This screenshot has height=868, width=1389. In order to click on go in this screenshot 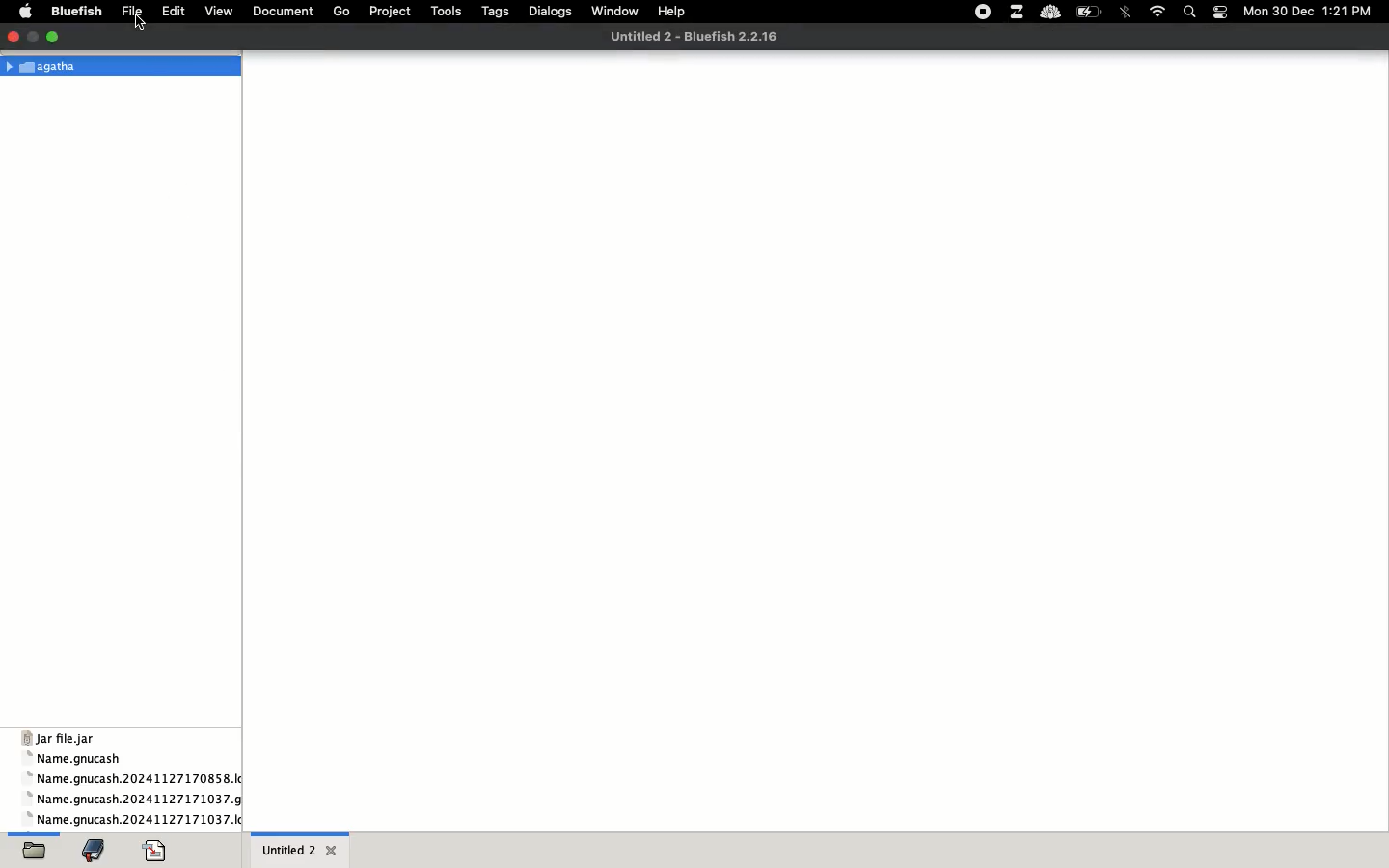, I will do `click(342, 13)`.